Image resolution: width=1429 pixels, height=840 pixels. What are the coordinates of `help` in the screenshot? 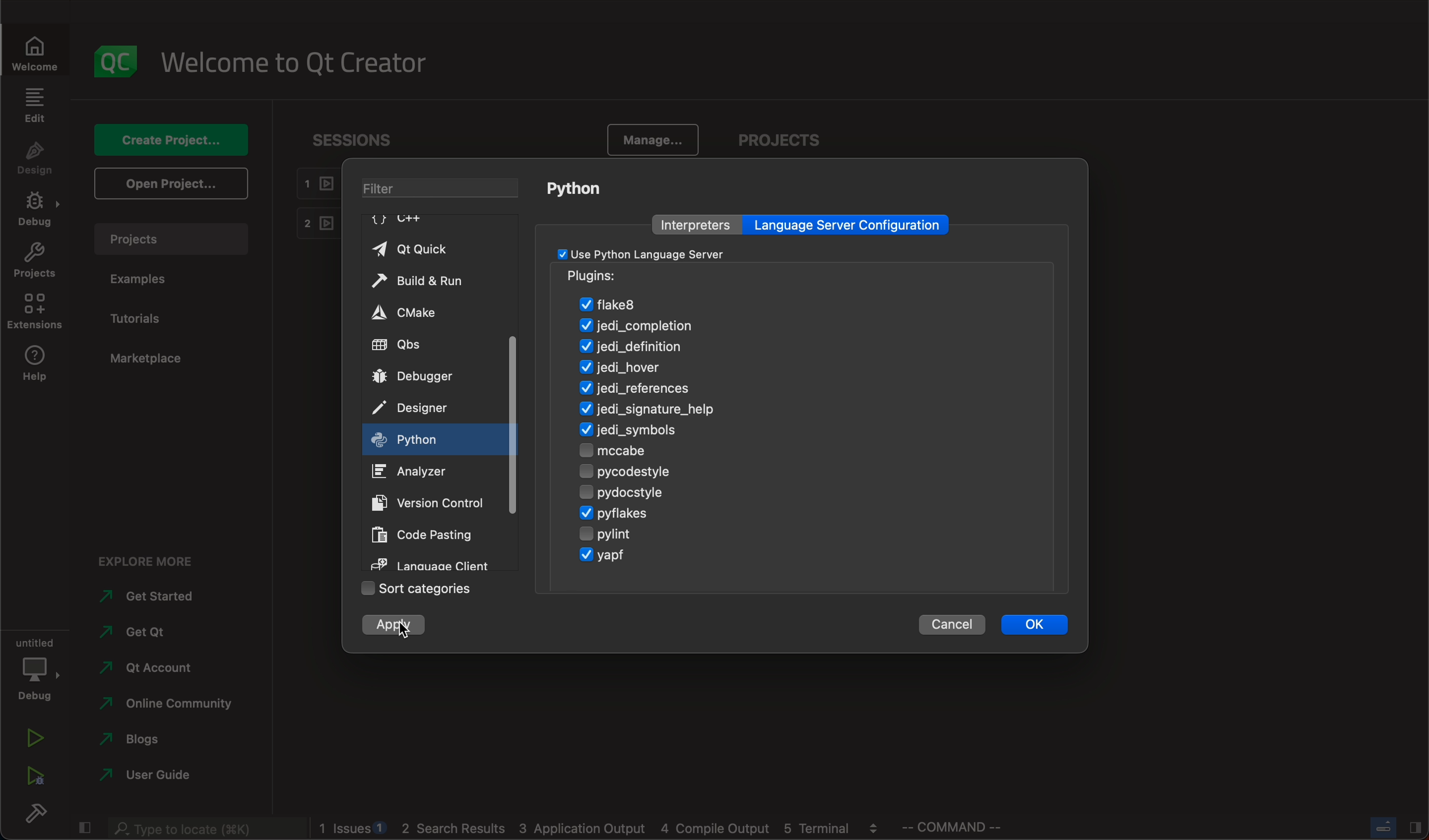 It's located at (33, 363).